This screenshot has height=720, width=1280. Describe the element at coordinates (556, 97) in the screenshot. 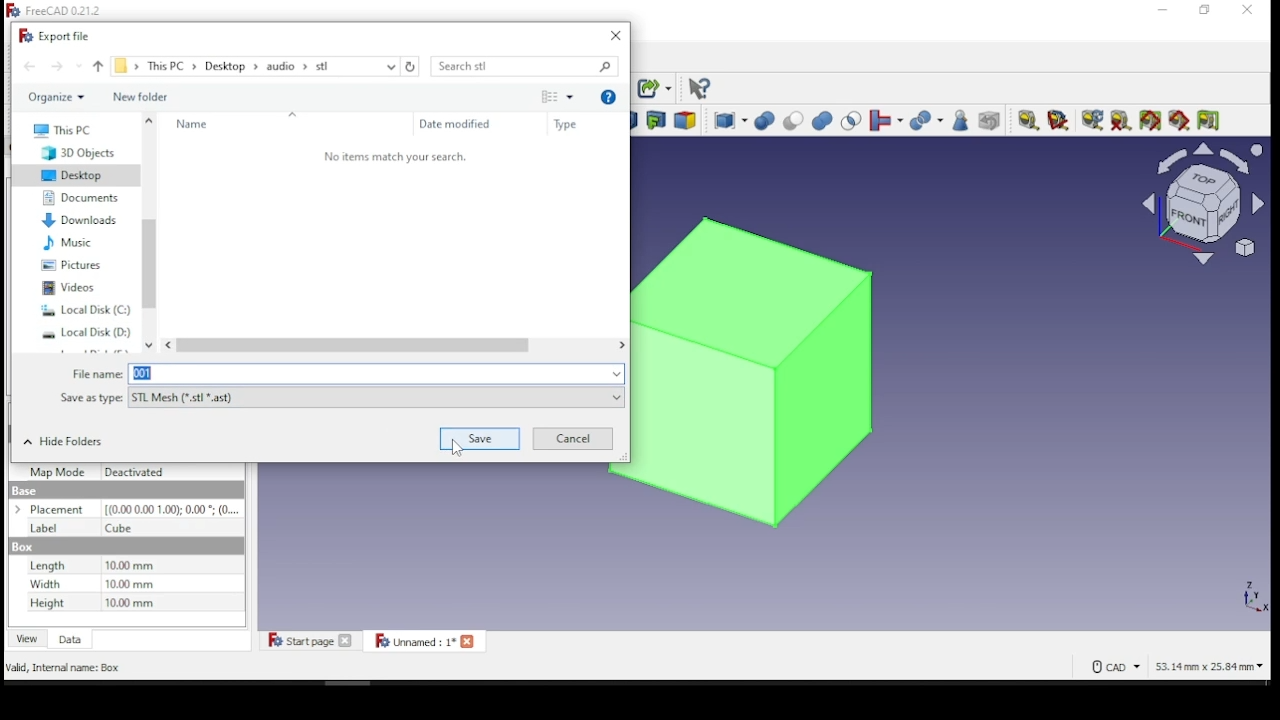

I see `change view` at that location.